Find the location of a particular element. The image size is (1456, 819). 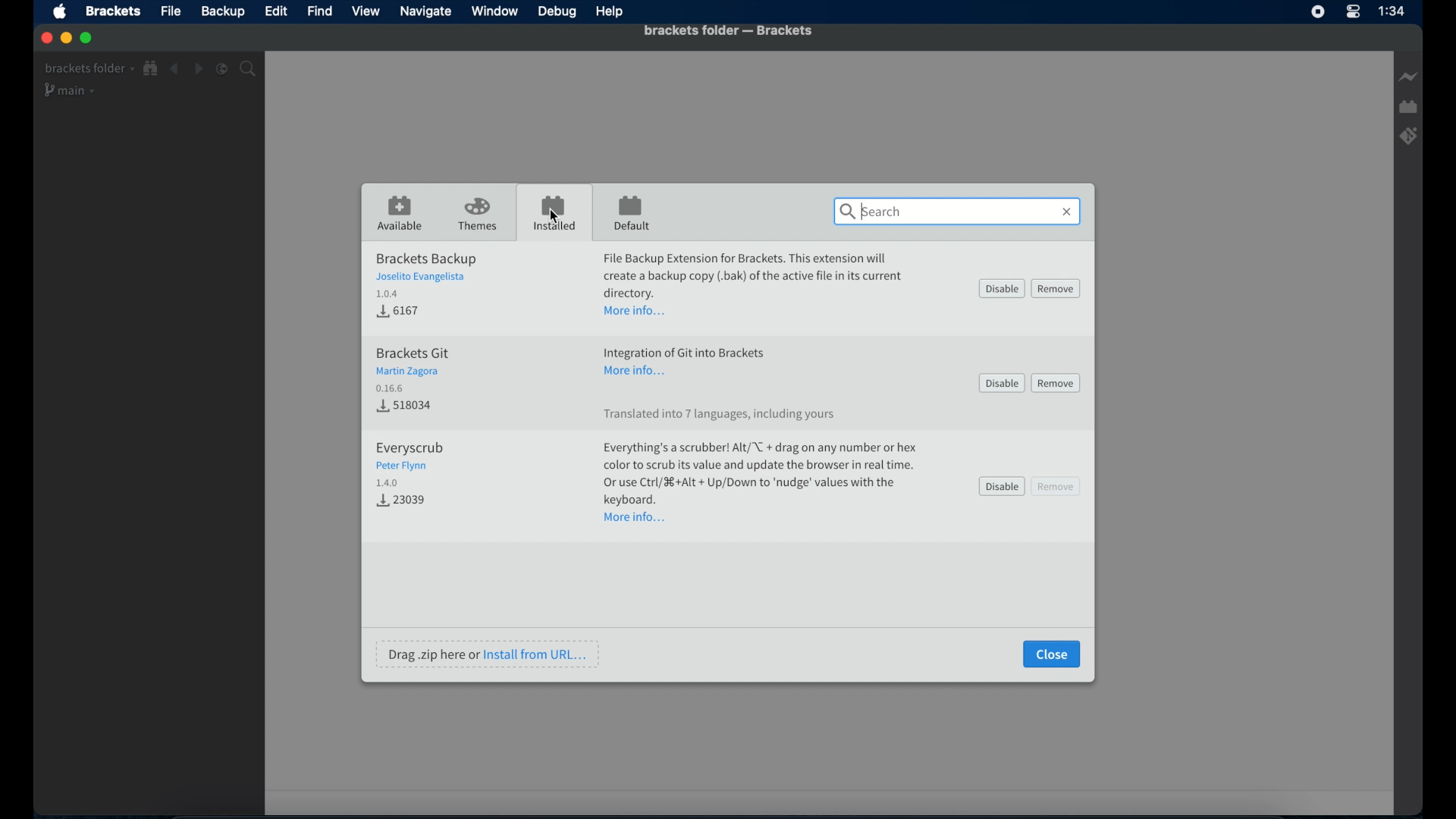

File is located at coordinates (172, 11).